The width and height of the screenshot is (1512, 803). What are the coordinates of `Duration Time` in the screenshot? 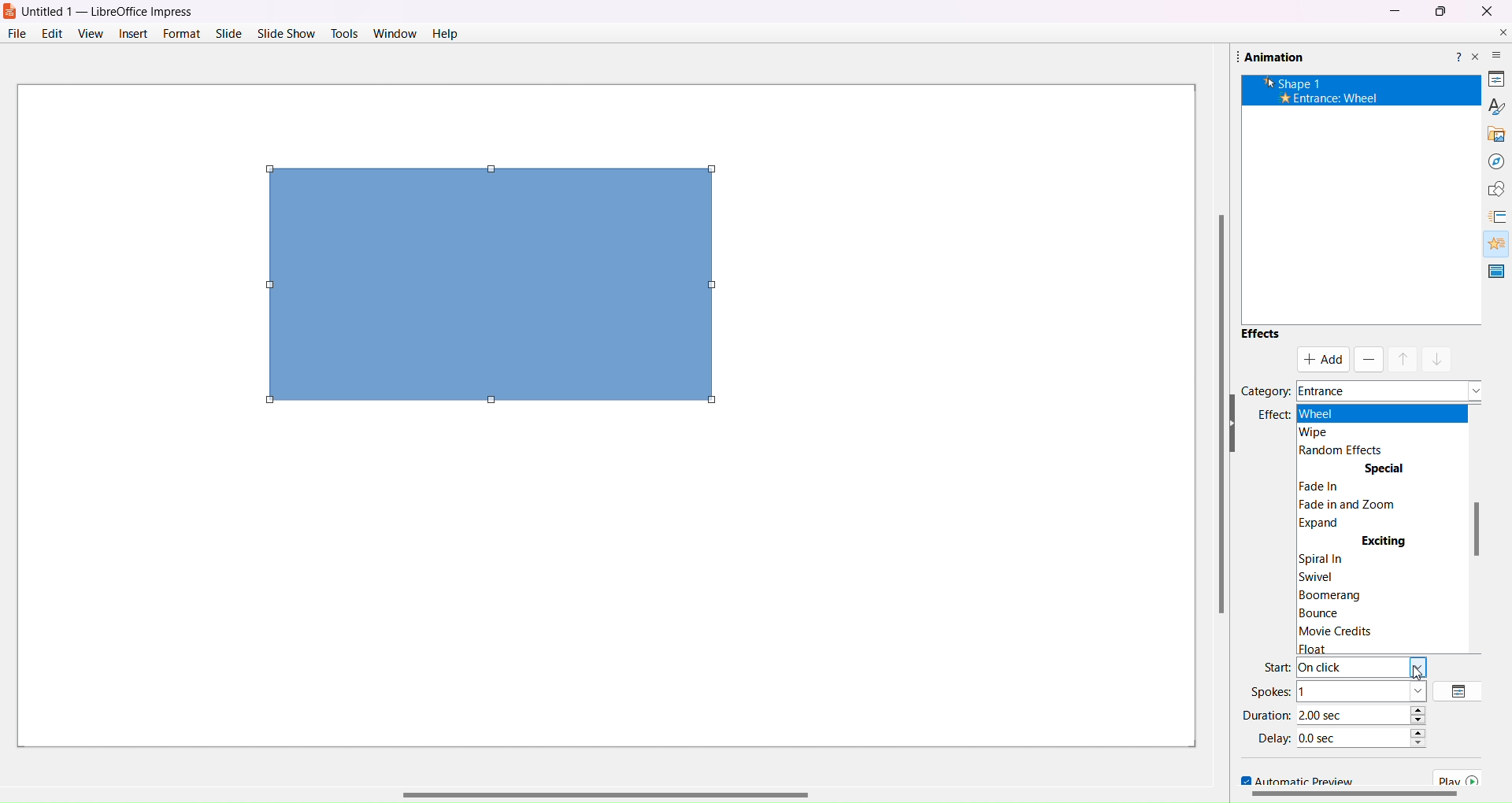 It's located at (1354, 713).